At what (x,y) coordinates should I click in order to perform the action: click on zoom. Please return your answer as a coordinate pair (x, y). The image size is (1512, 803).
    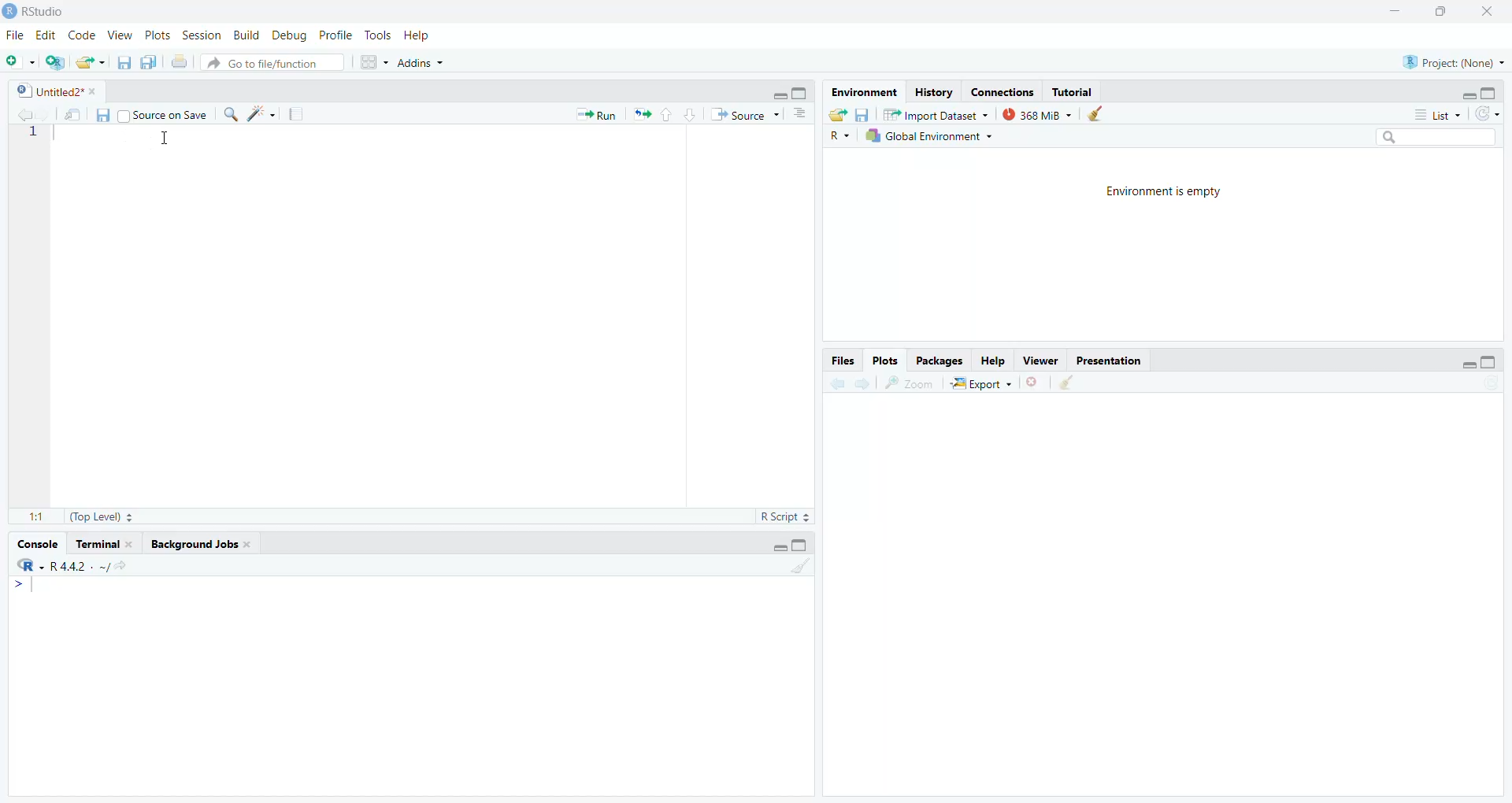
    Looking at the image, I should click on (910, 385).